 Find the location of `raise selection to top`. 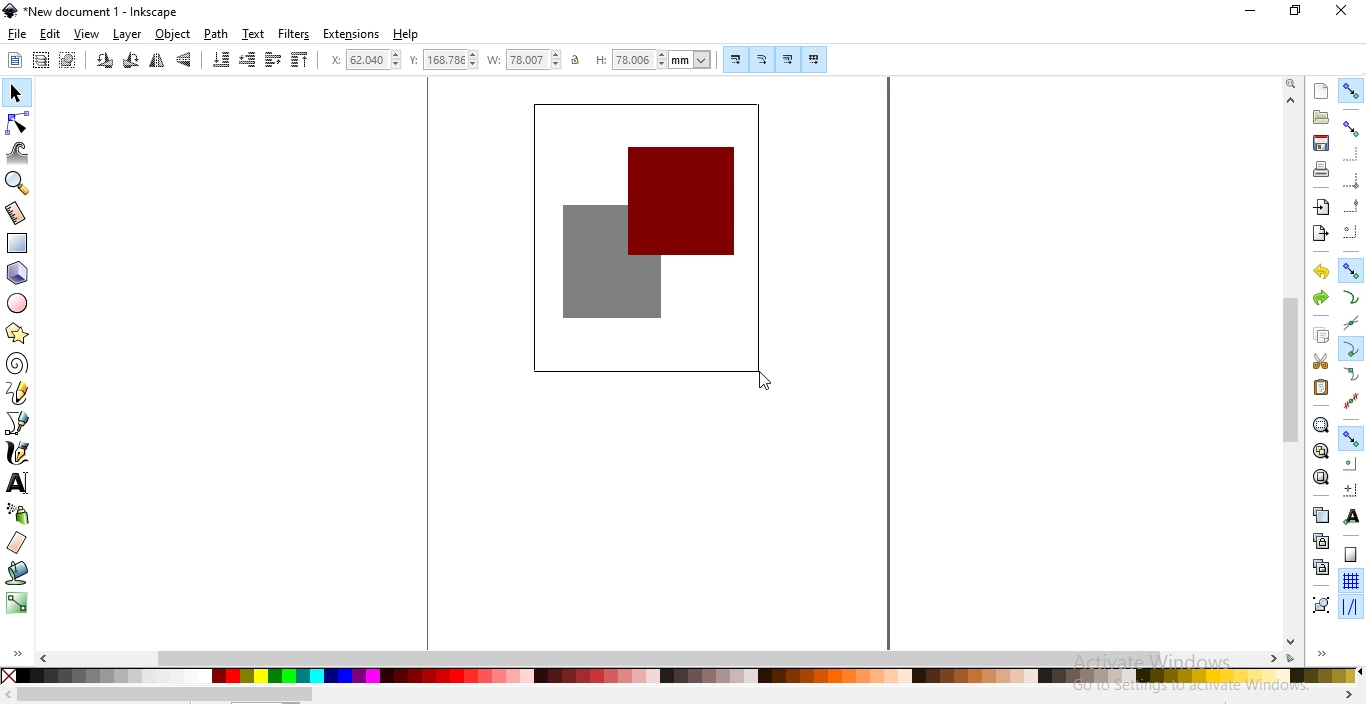

raise selection to top is located at coordinates (300, 62).